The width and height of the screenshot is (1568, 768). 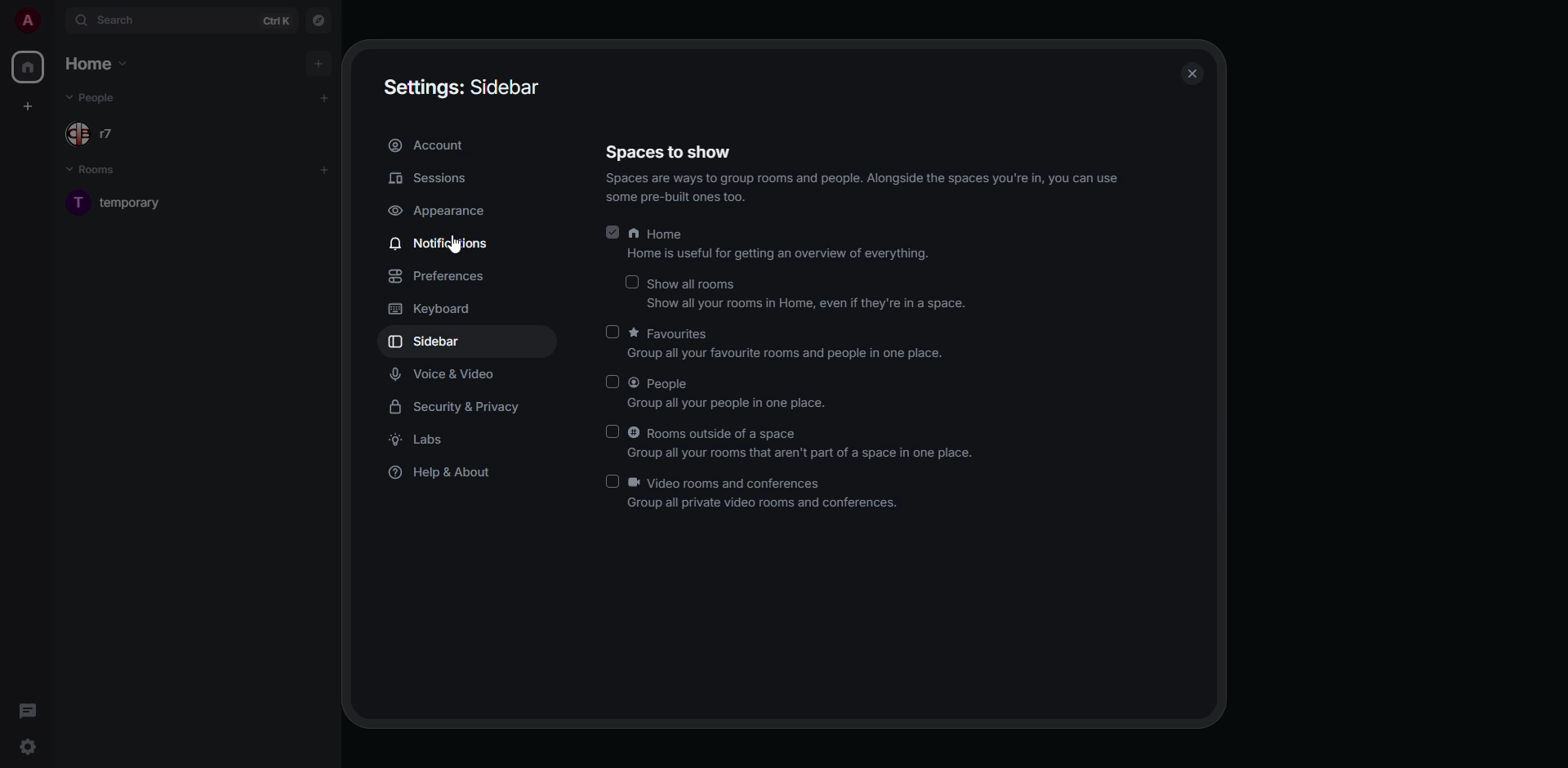 I want to click on threads, so click(x=26, y=708).